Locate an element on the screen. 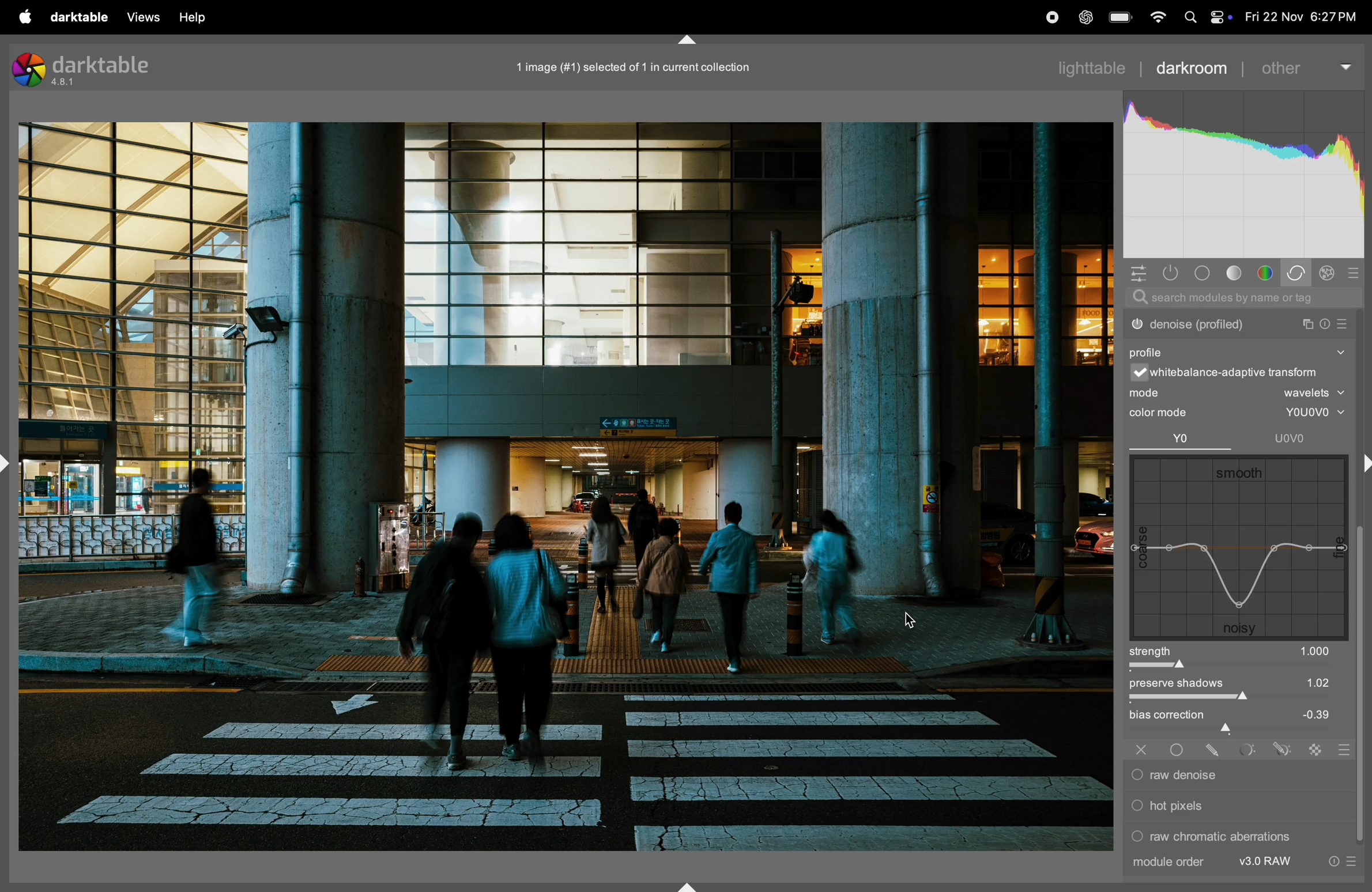 The width and height of the screenshot is (1372, 892). parametric mask is located at coordinates (1249, 750).